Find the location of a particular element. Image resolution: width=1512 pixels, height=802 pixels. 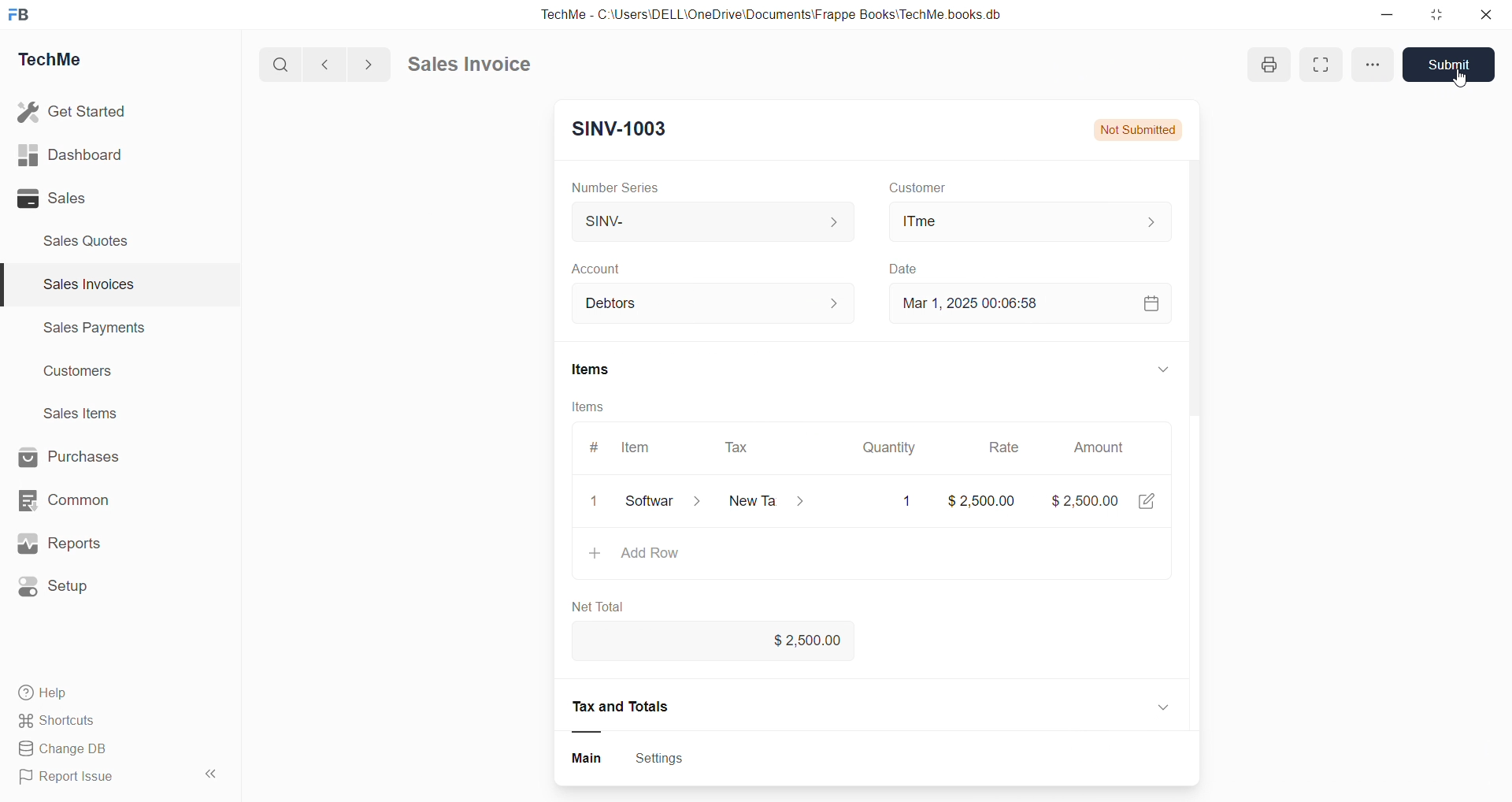

1 $ 2,500.00 is located at coordinates (979, 499).